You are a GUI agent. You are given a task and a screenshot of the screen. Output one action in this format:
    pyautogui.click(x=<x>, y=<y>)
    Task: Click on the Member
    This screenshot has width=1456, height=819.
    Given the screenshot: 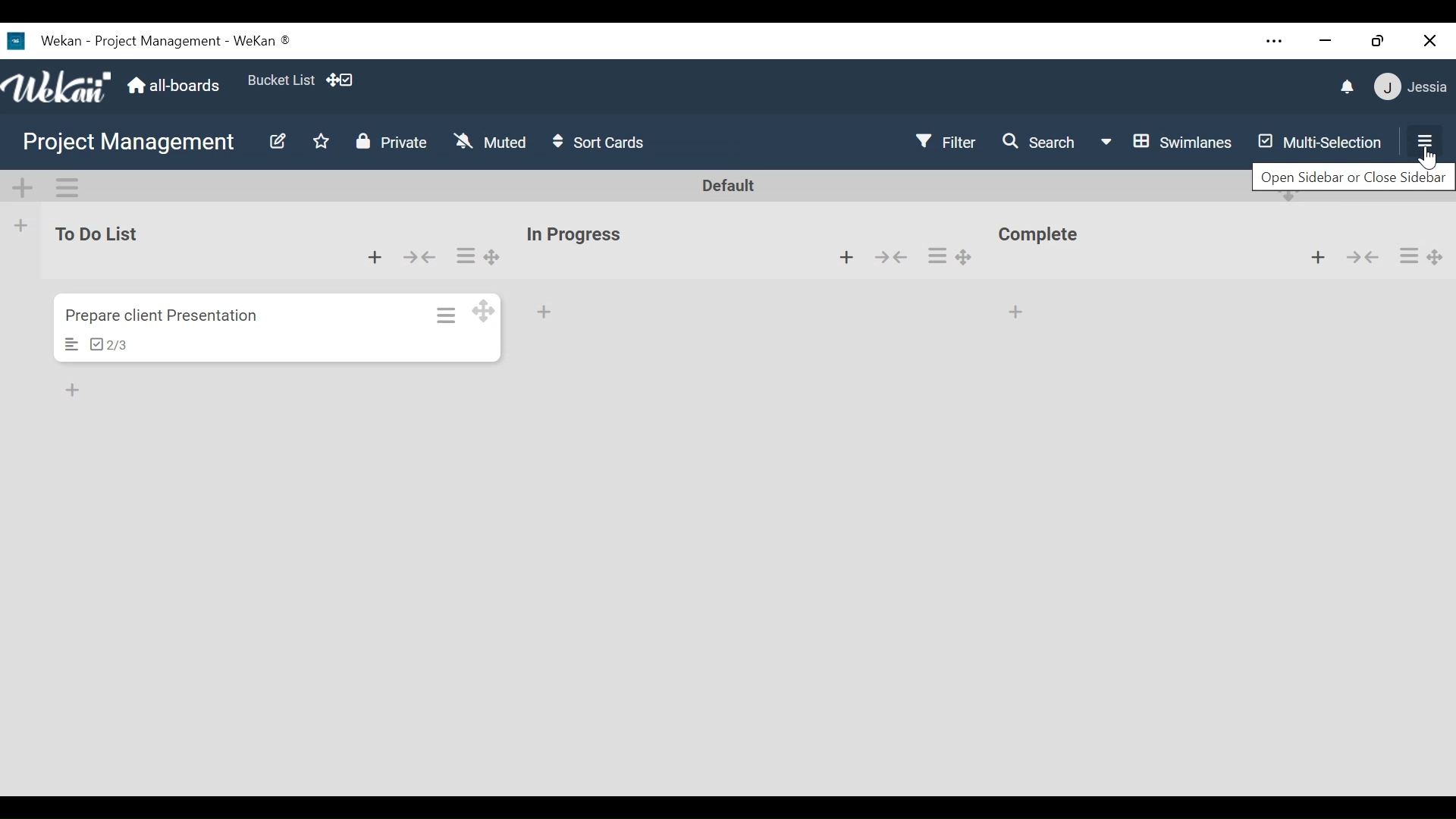 What is the action you would take?
    pyautogui.click(x=1413, y=86)
    